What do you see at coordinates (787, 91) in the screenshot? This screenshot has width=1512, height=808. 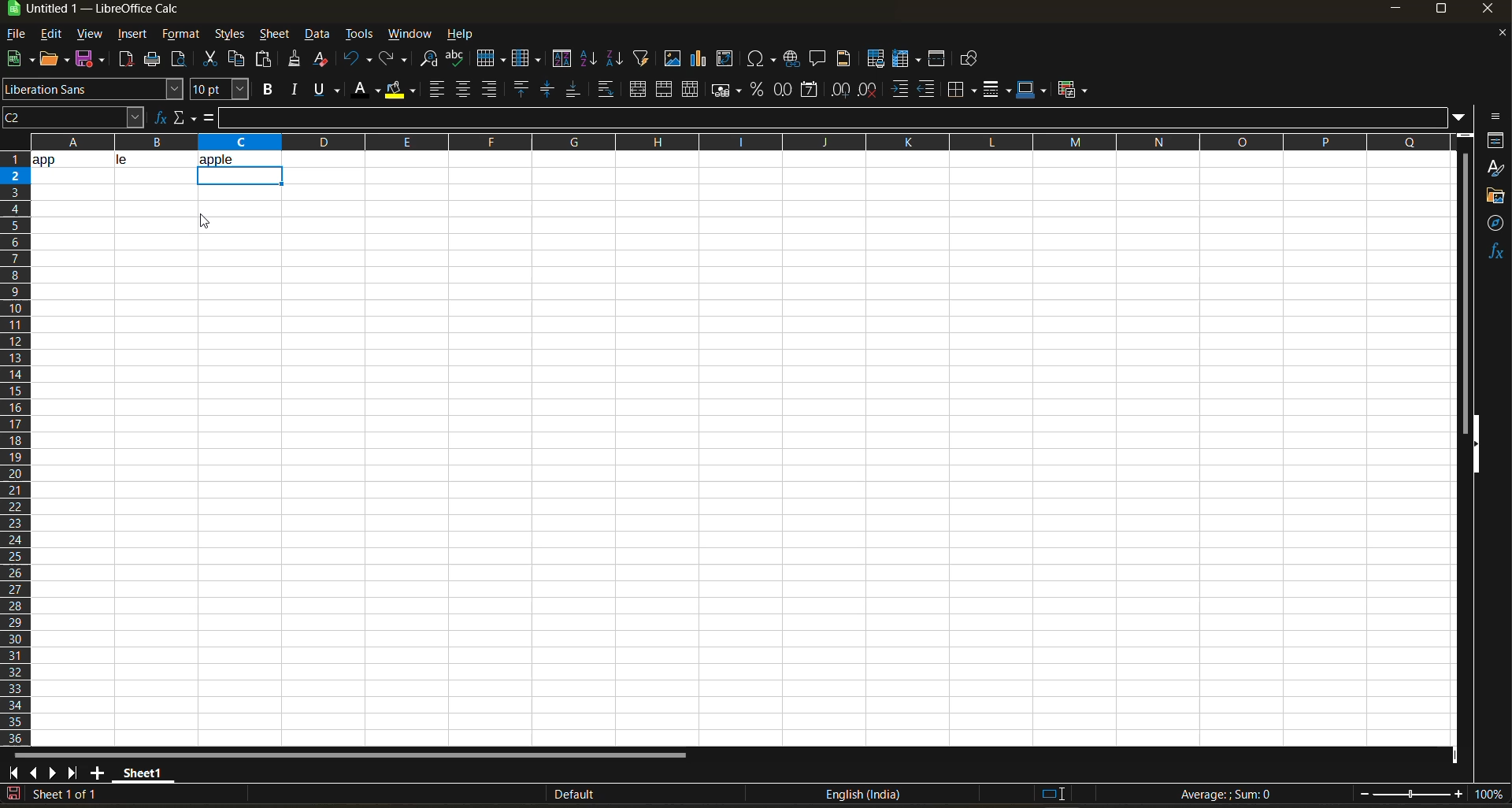 I see `format as number` at bounding box center [787, 91].